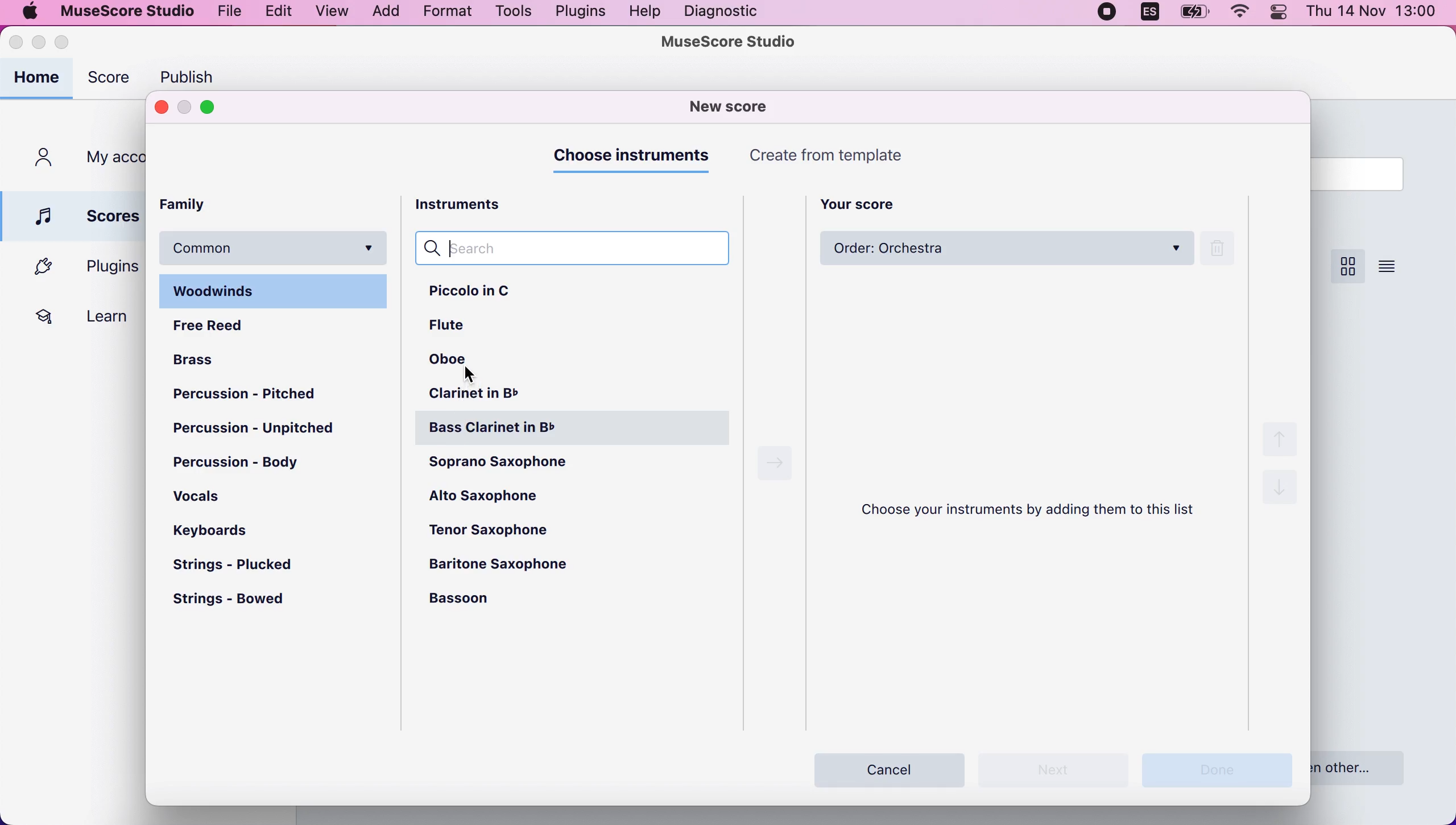  Describe the element at coordinates (734, 106) in the screenshot. I see `new score` at that location.